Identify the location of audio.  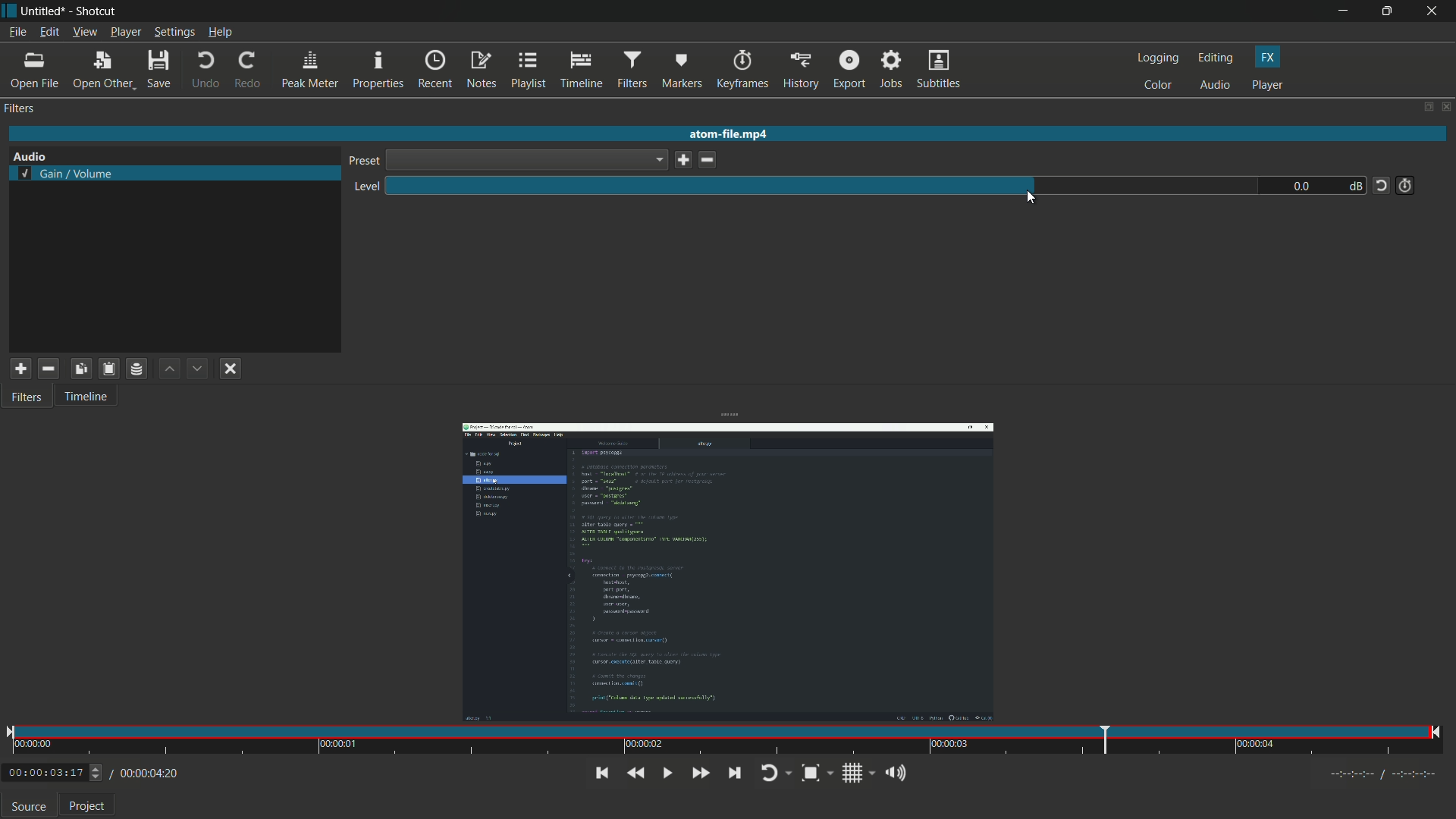
(1216, 86).